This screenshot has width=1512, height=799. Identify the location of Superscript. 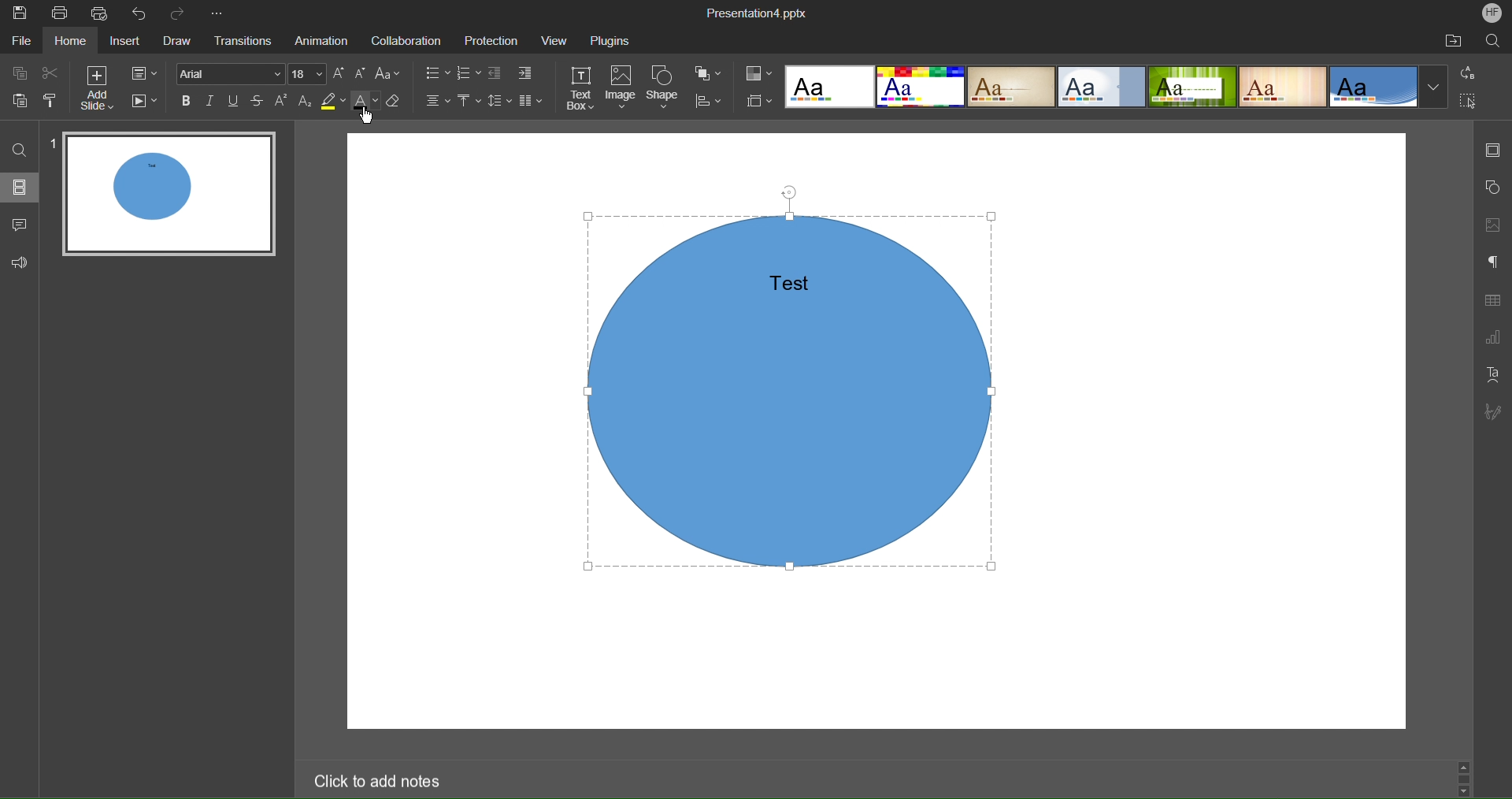
(283, 102).